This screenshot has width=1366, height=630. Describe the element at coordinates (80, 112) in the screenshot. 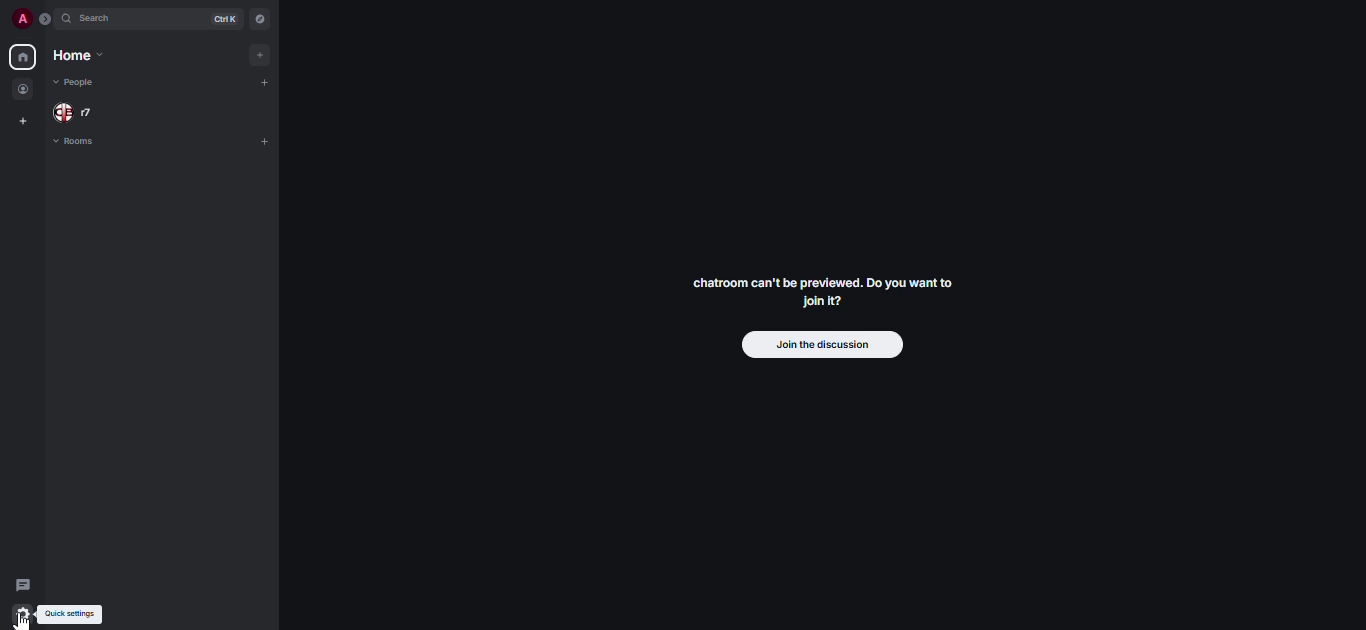

I see `people` at that location.